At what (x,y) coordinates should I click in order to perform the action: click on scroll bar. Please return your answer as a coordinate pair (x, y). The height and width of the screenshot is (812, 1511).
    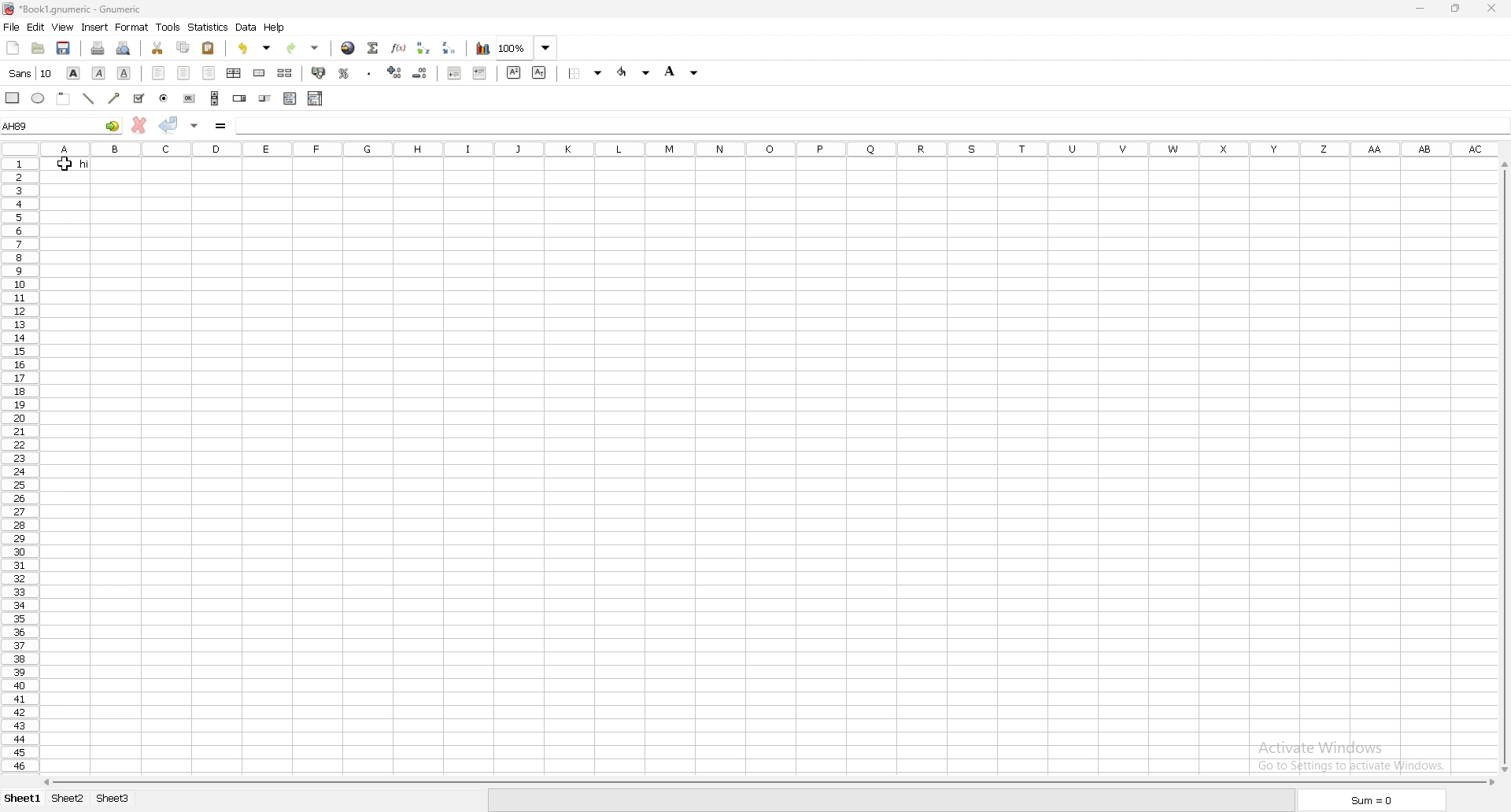
    Looking at the image, I should click on (768, 780).